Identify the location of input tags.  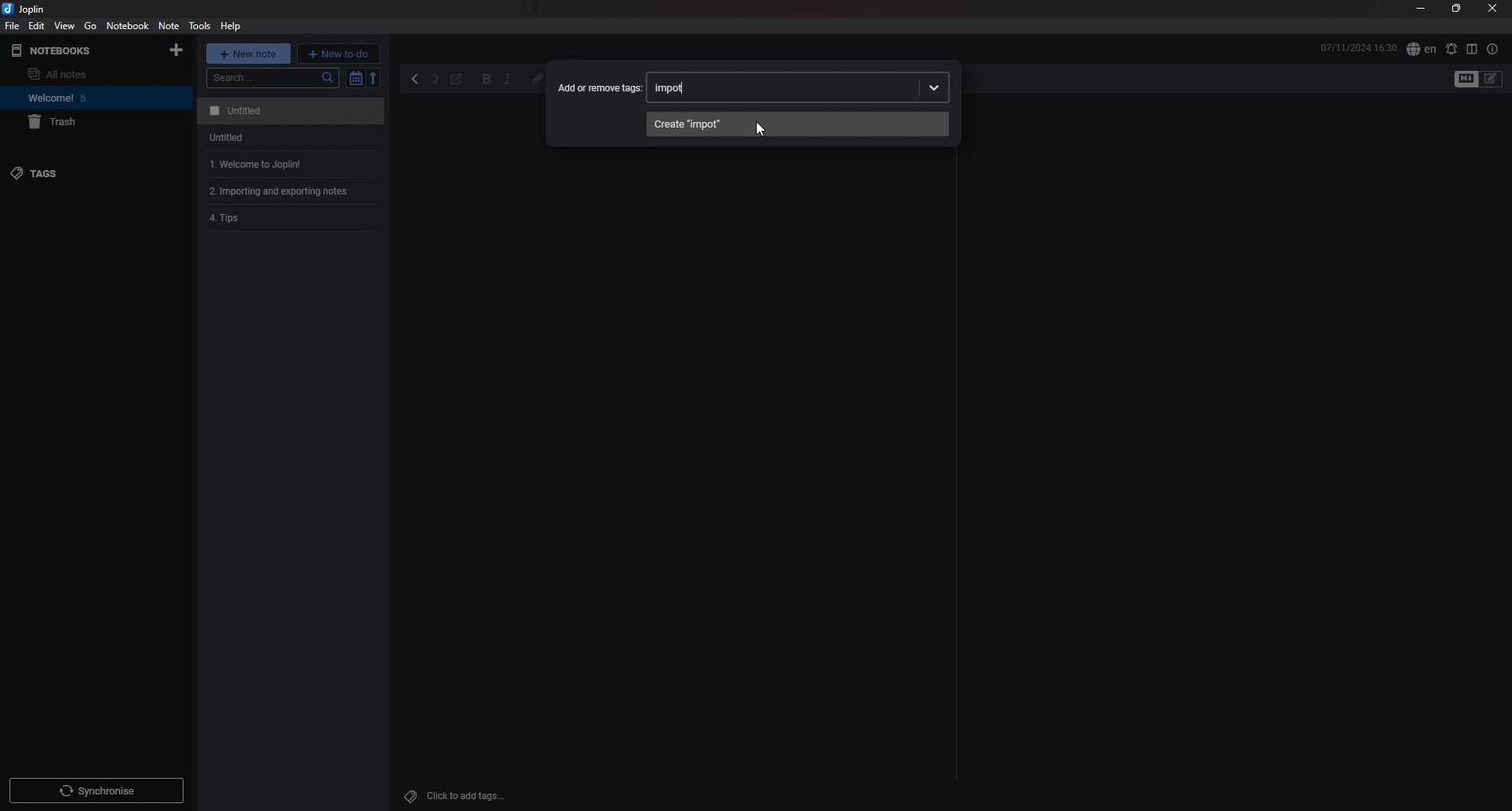
(827, 87).